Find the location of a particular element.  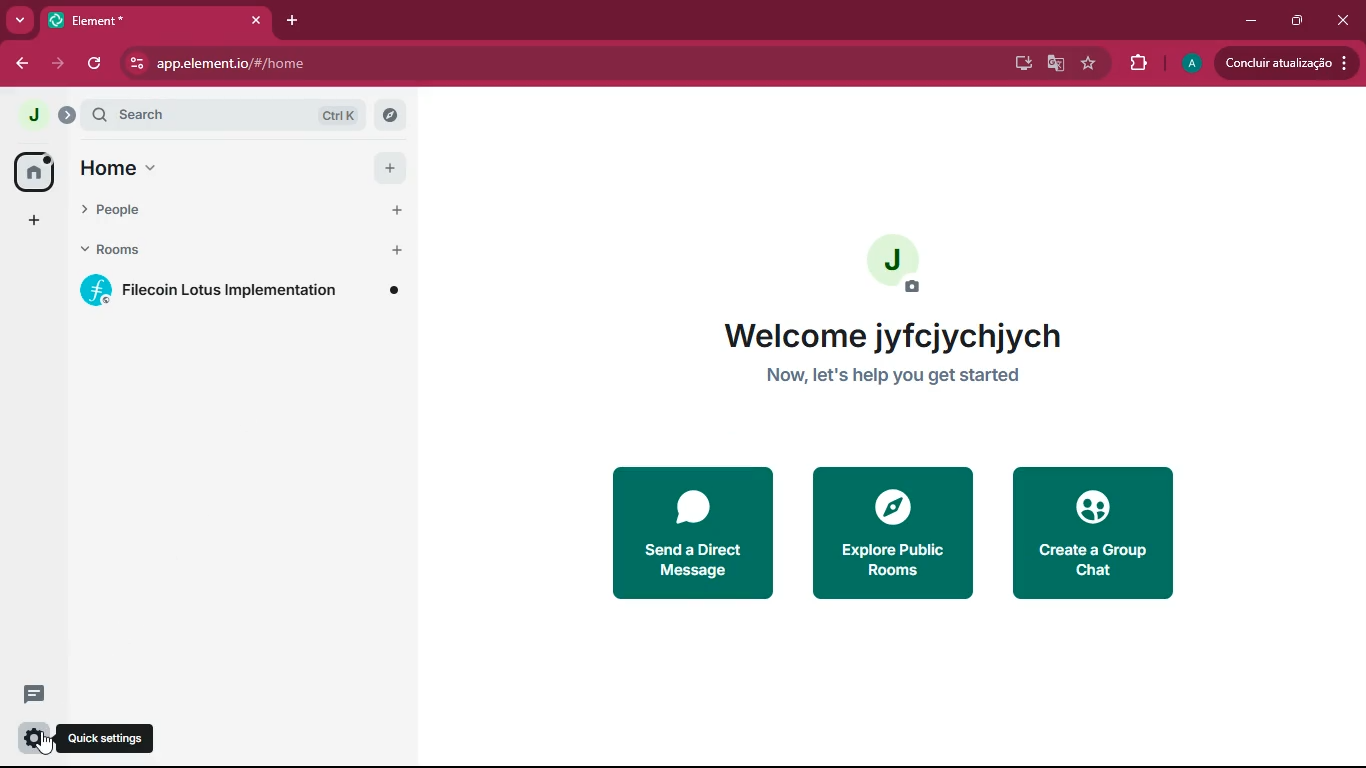

filecoin lotus implementation  is located at coordinates (244, 292).